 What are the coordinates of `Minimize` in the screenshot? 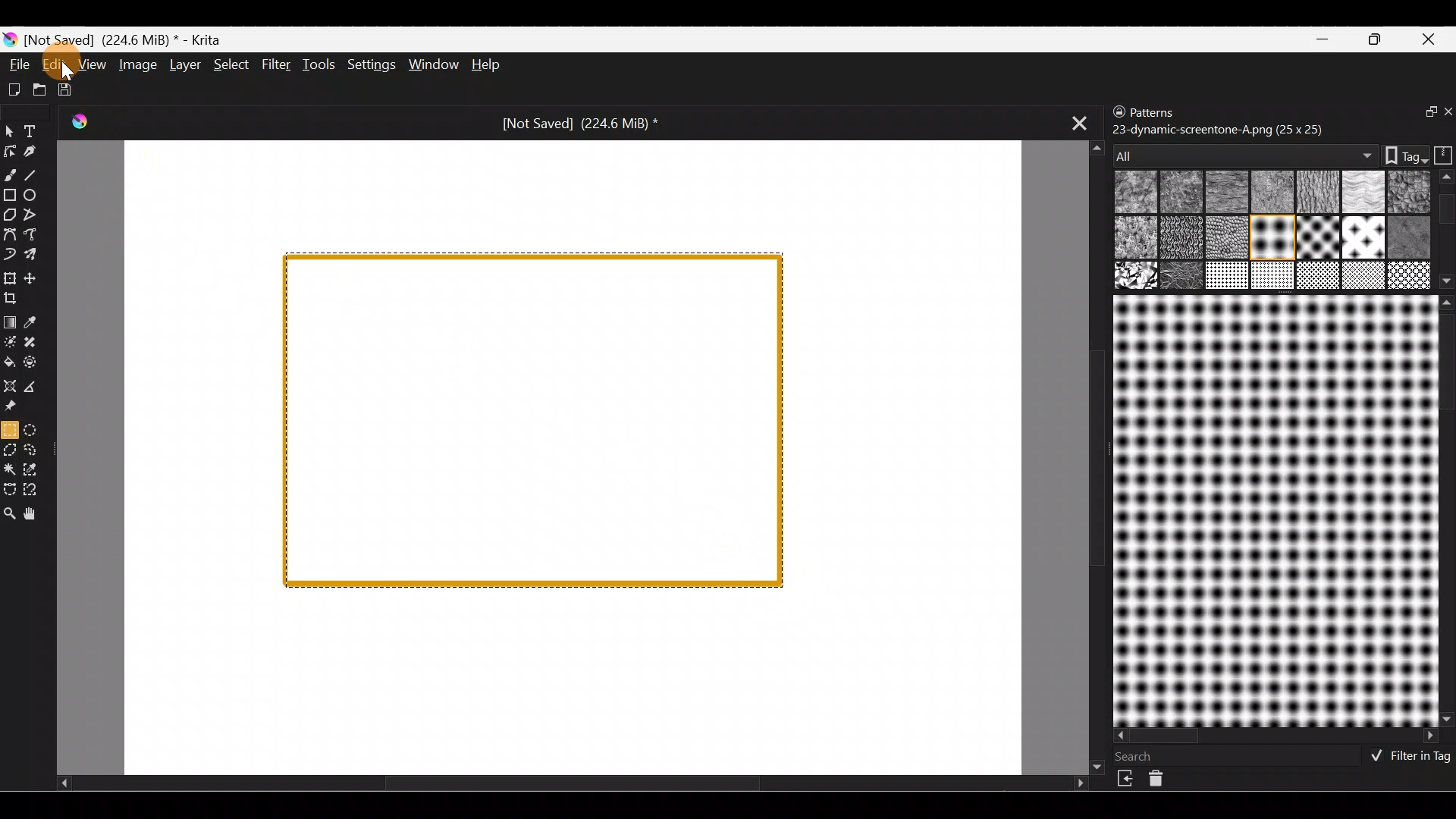 It's located at (1324, 39).